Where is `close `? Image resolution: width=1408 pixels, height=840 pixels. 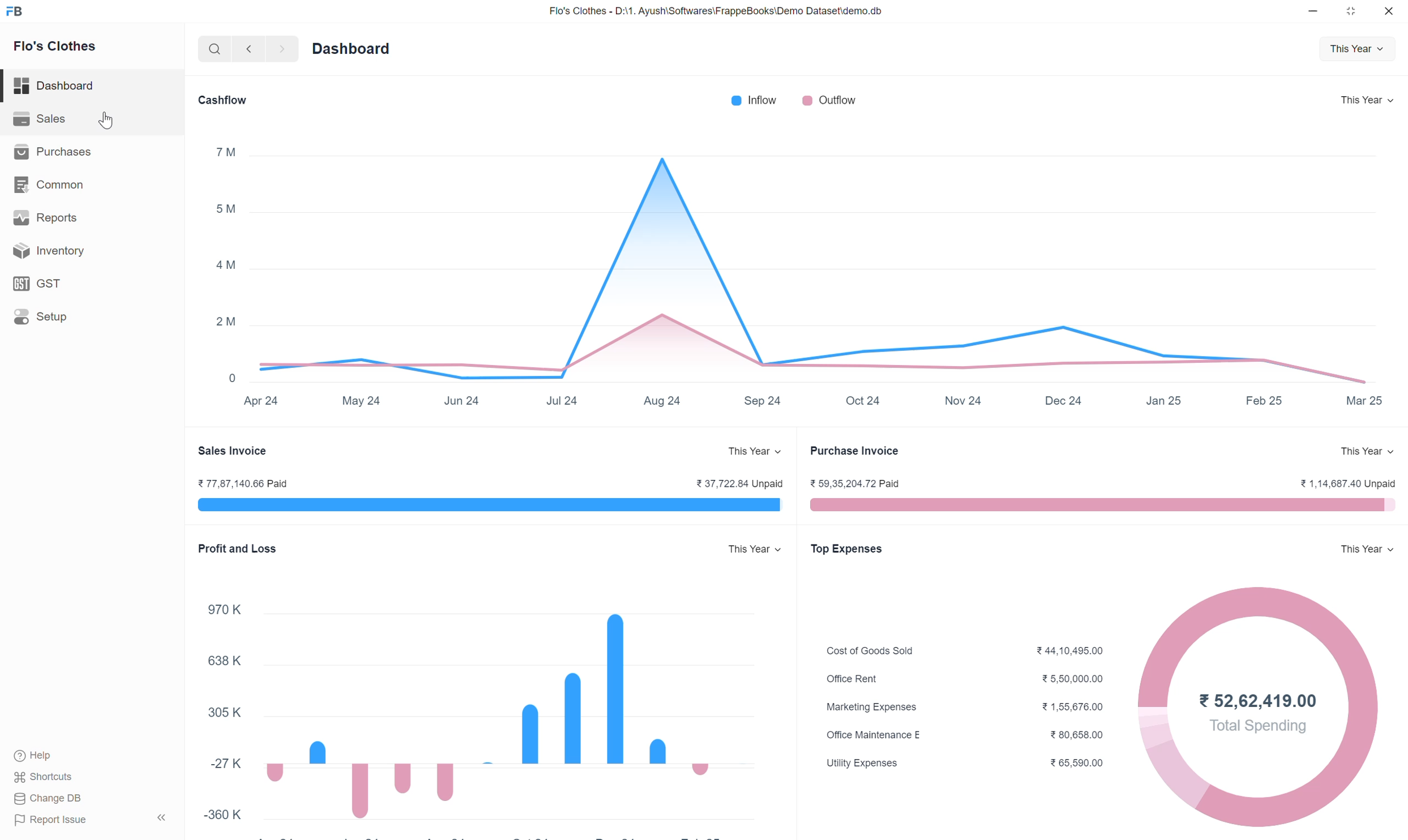
close  is located at coordinates (1390, 12).